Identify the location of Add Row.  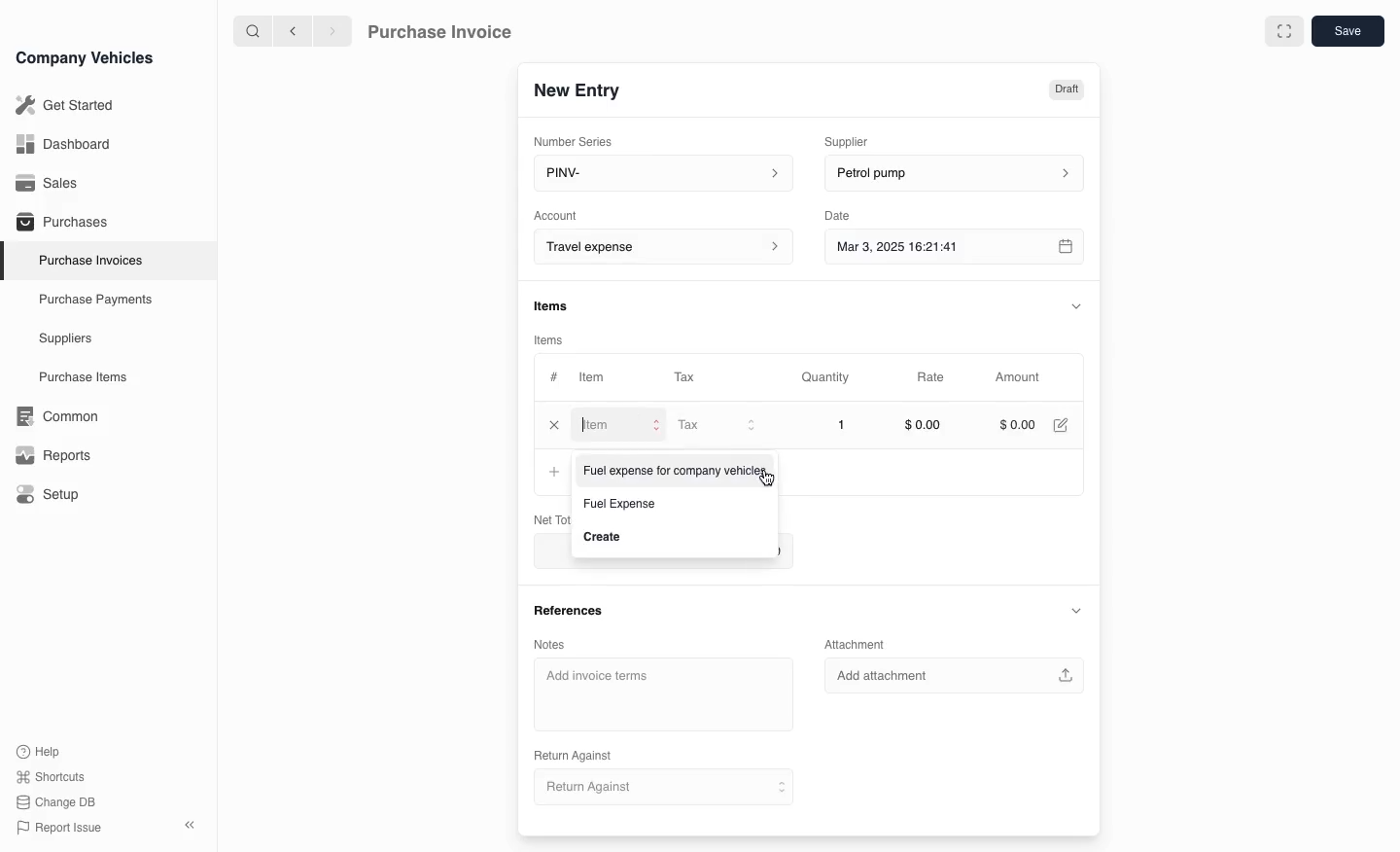
(550, 474).